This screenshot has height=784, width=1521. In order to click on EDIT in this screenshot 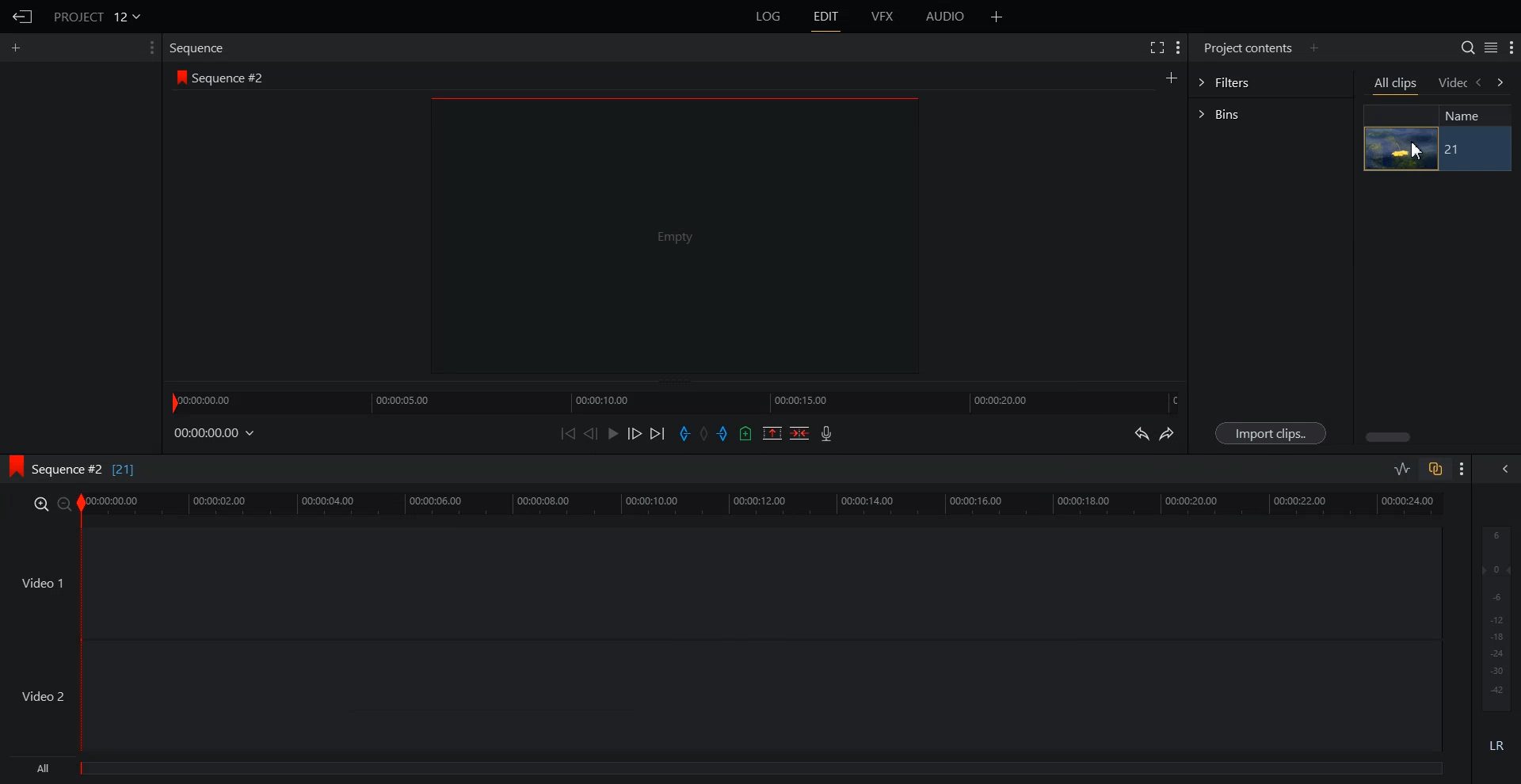, I will do `click(829, 17)`.